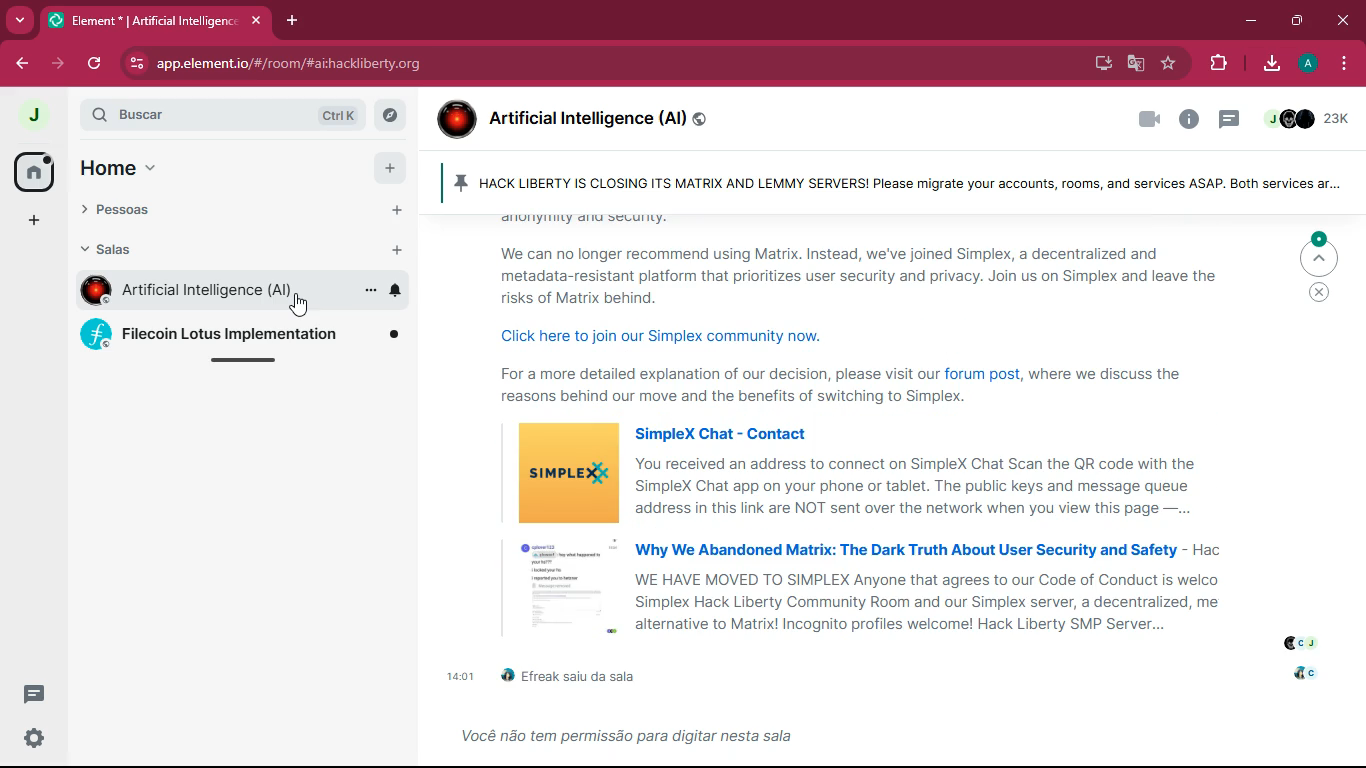 The height and width of the screenshot is (768, 1366). What do you see at coordinates (397, 249) in the screenshot?
I see `add room` at bounding box center [397, 249].